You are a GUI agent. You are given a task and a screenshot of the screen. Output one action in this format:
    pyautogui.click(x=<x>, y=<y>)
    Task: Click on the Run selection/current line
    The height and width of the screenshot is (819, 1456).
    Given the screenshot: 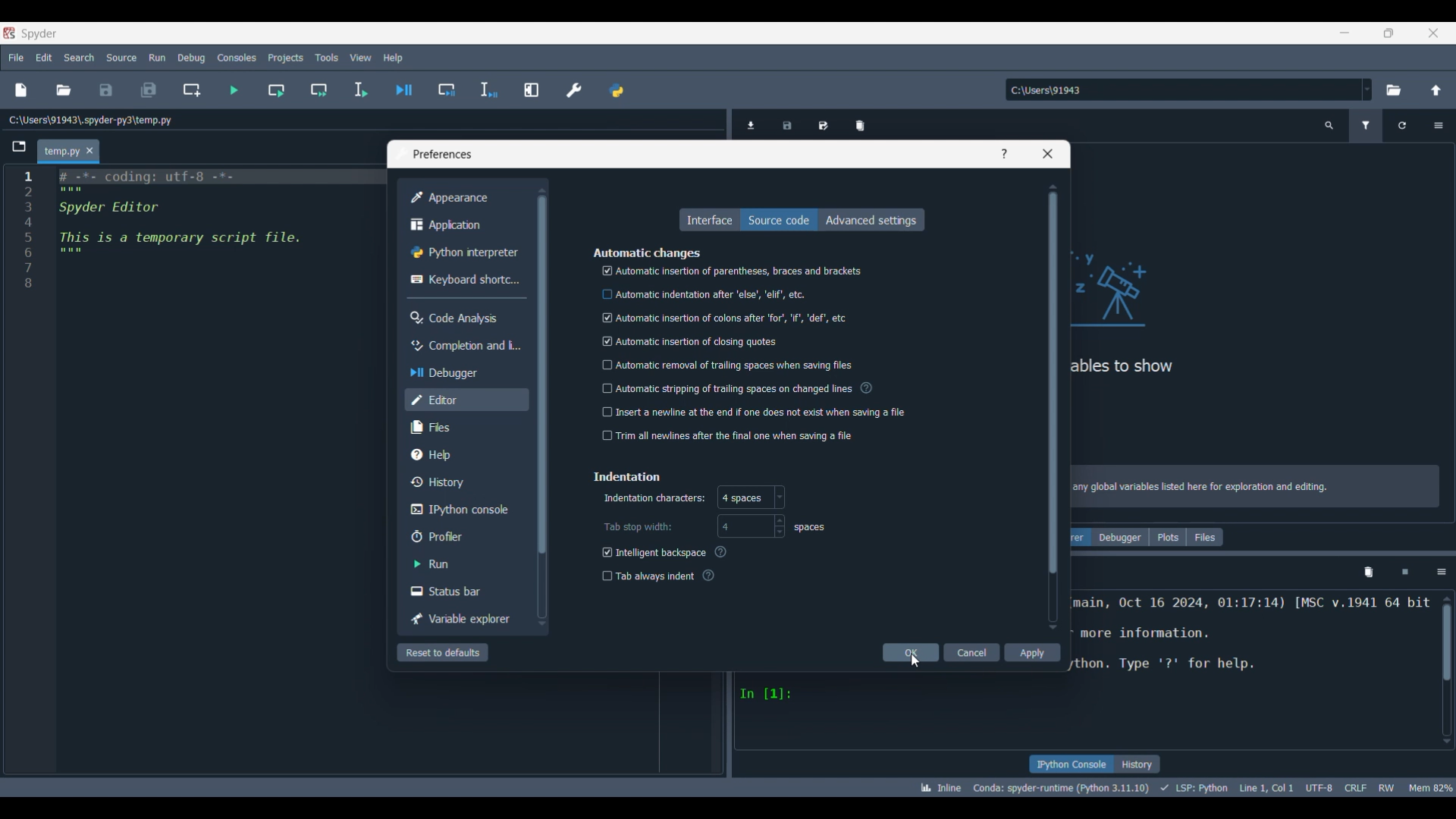 What is the action you would take?
    pyautogui.click(x=359, y=90)
    